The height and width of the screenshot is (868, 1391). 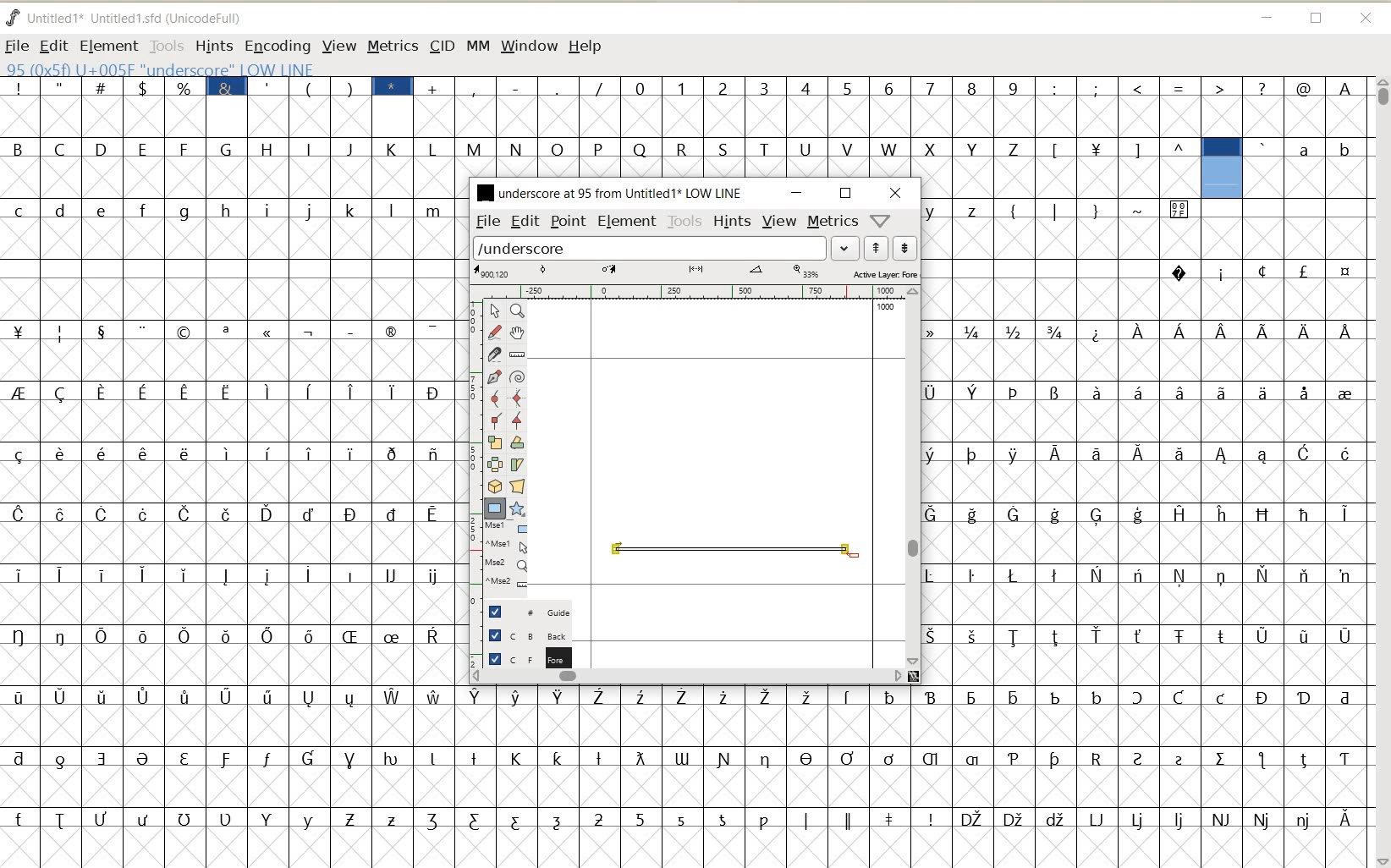 I want to click on ACTIVE LAYR, so click(x=695, y=272).